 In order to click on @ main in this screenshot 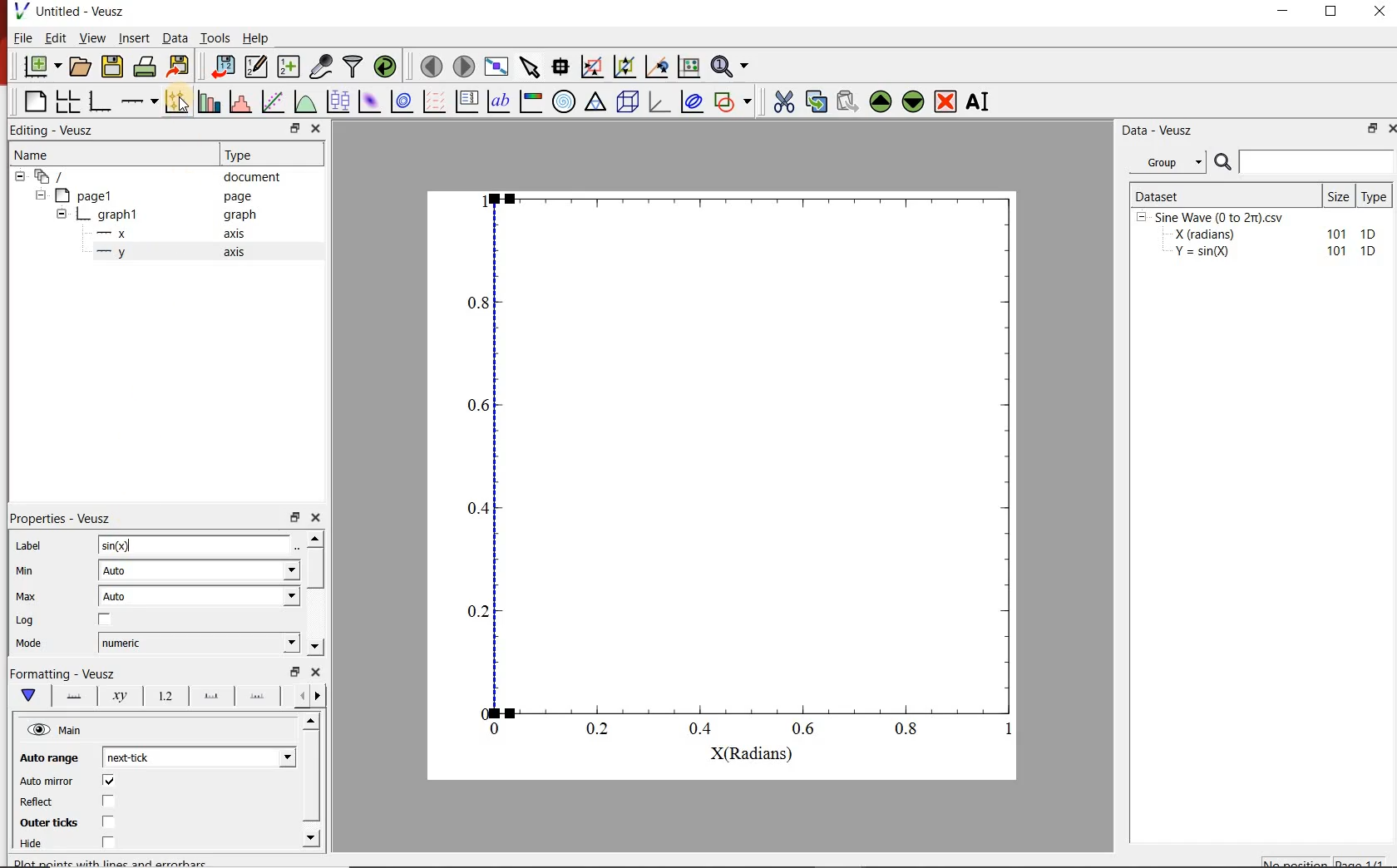, I will do `click(54, 731)`.